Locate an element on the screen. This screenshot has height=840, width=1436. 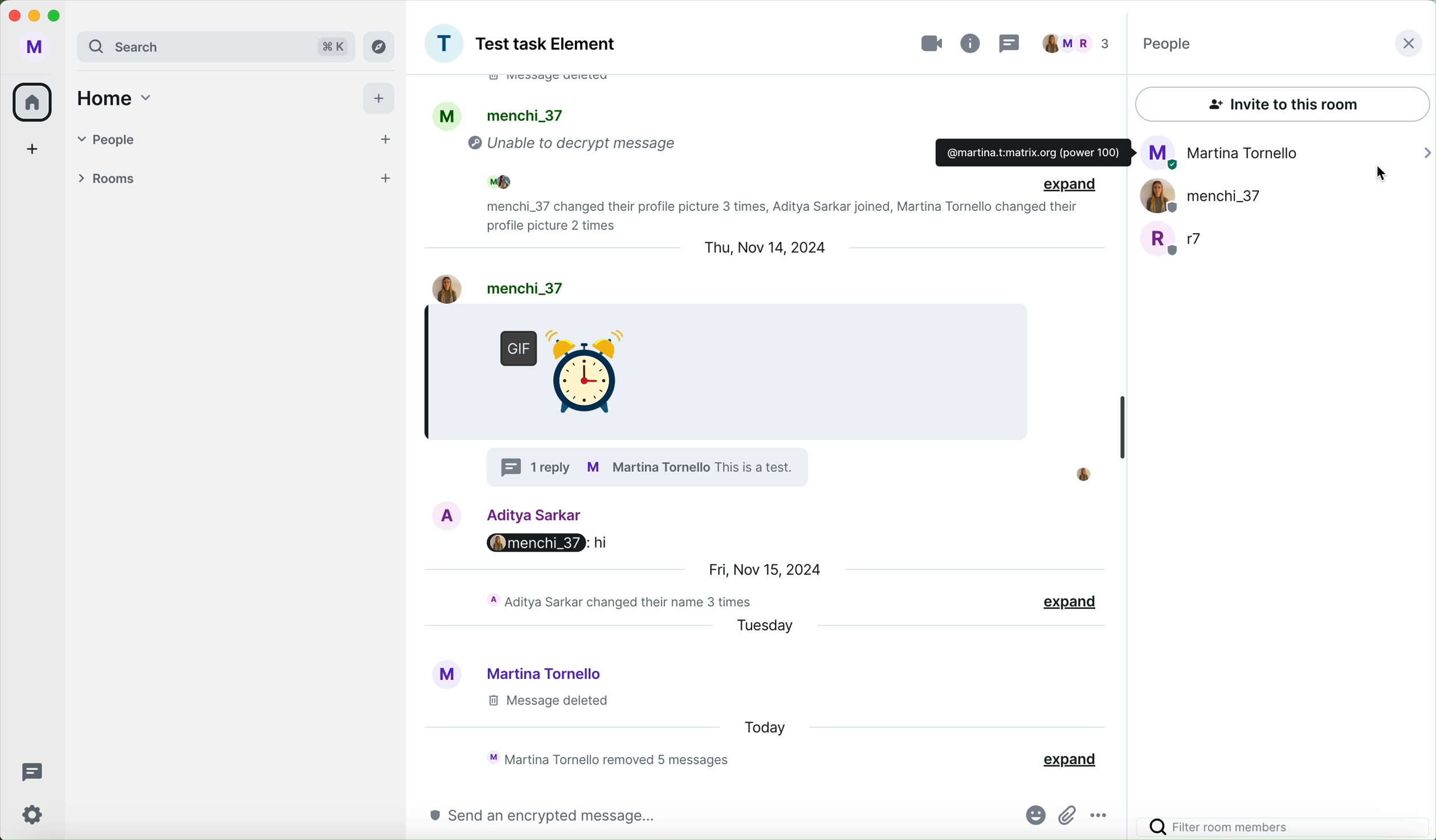
Aditya user is located at coordinates (537, 513).